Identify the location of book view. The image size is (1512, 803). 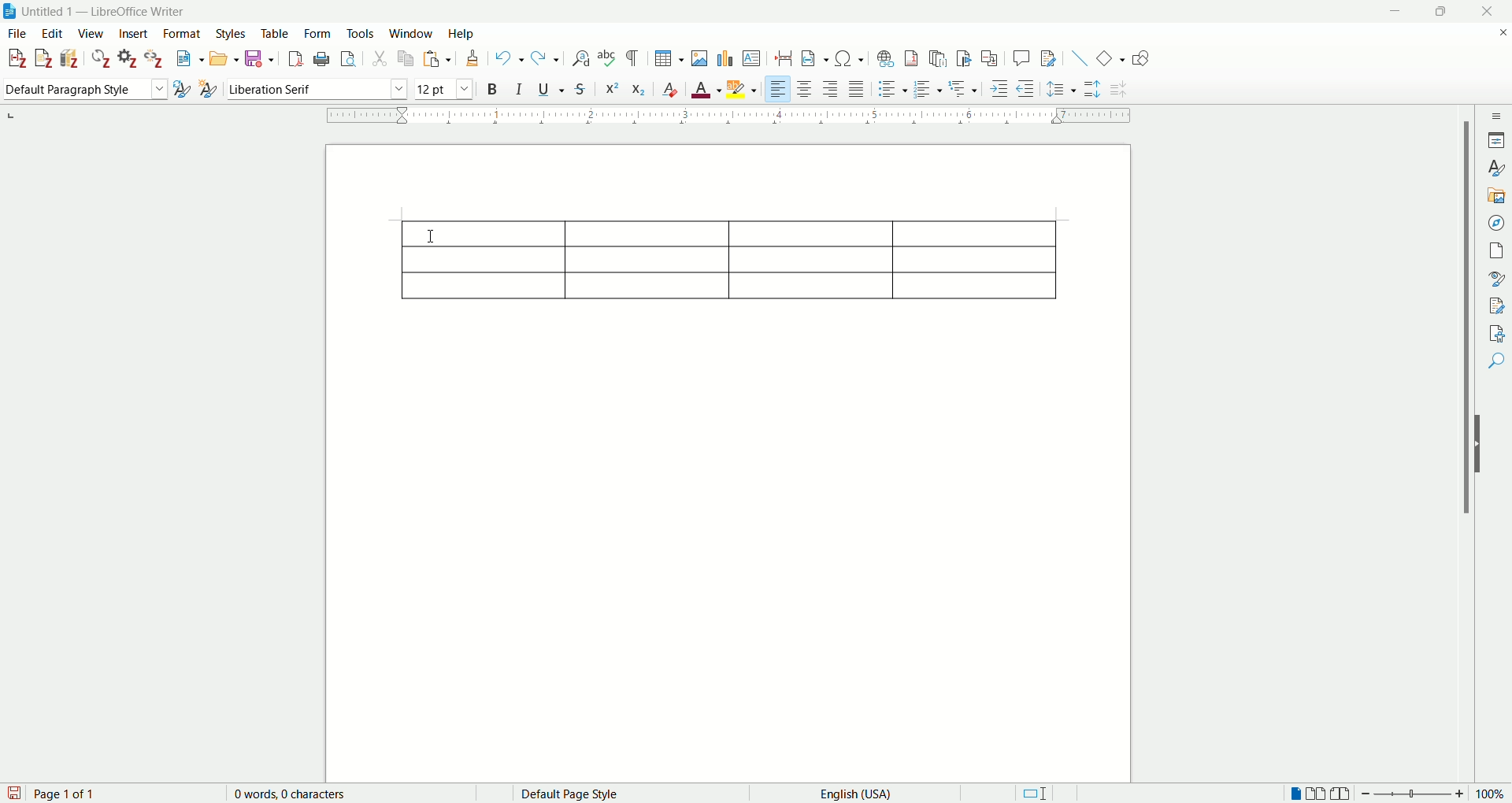
(1341, 794).